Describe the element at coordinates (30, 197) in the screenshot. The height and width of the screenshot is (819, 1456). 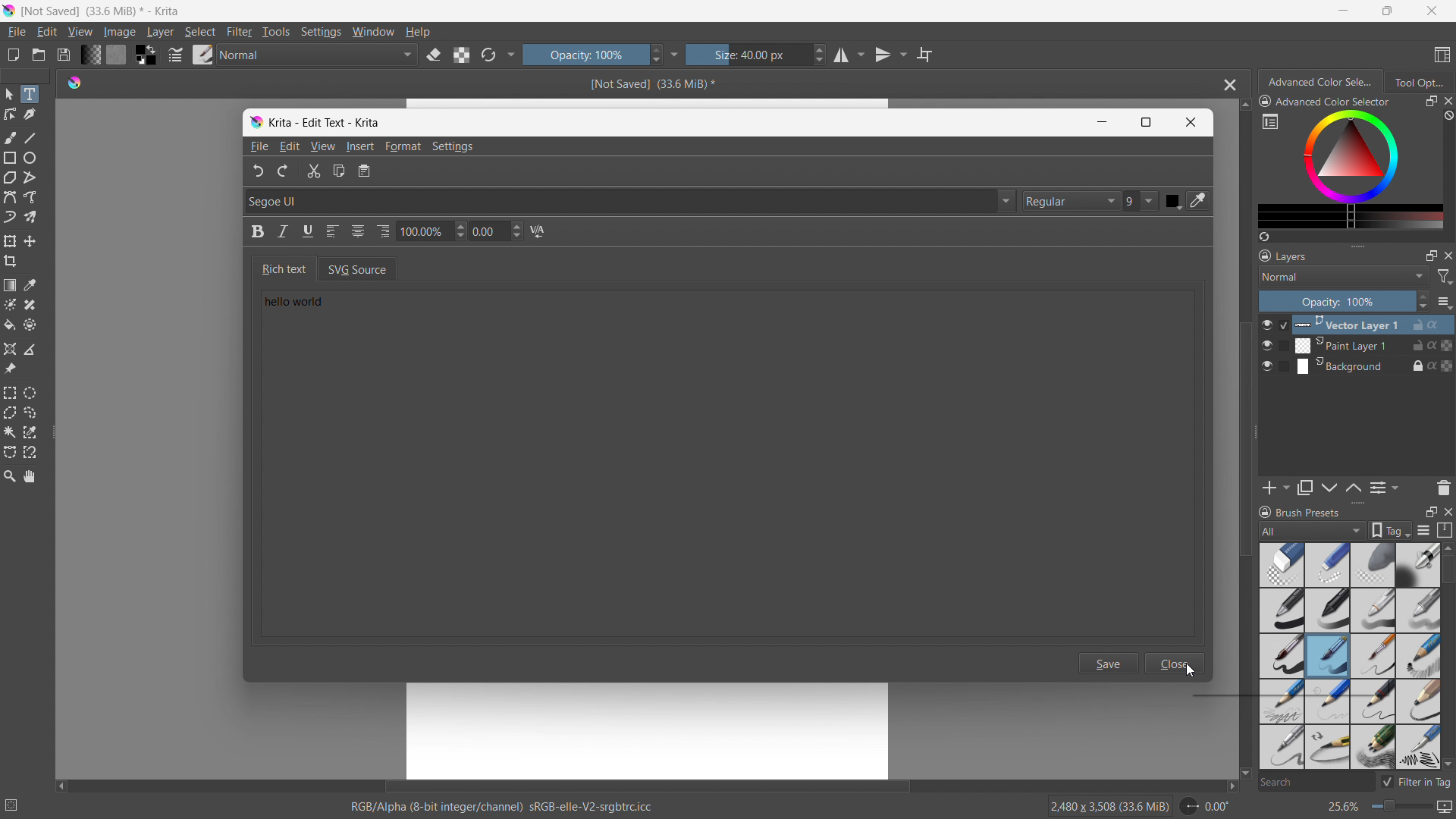
I see `freehand path tool` at that location.